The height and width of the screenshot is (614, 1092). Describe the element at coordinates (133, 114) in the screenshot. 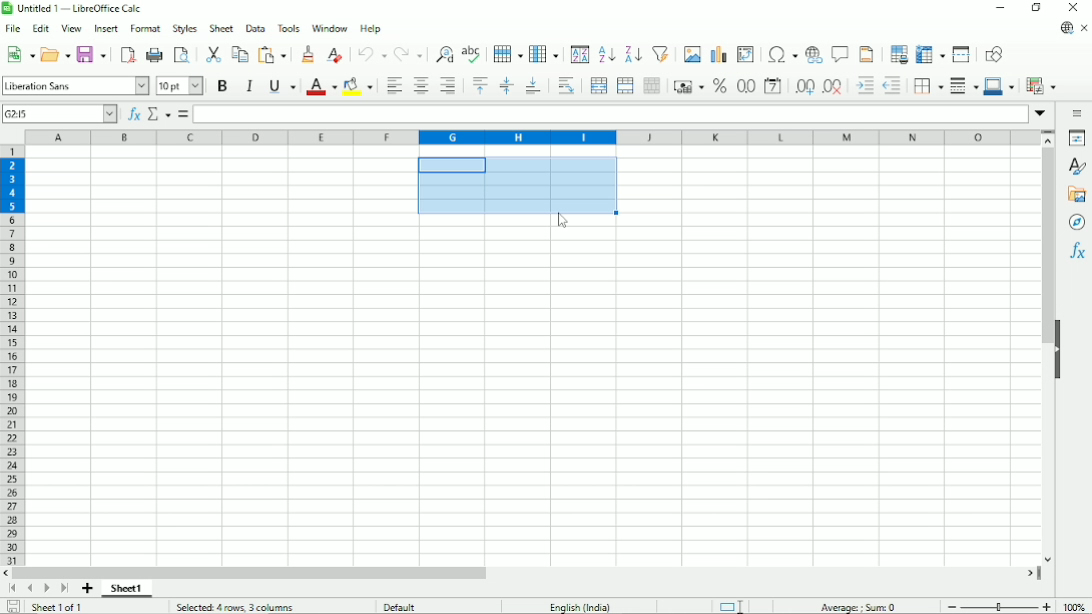

I see `Function wizard` at that location.